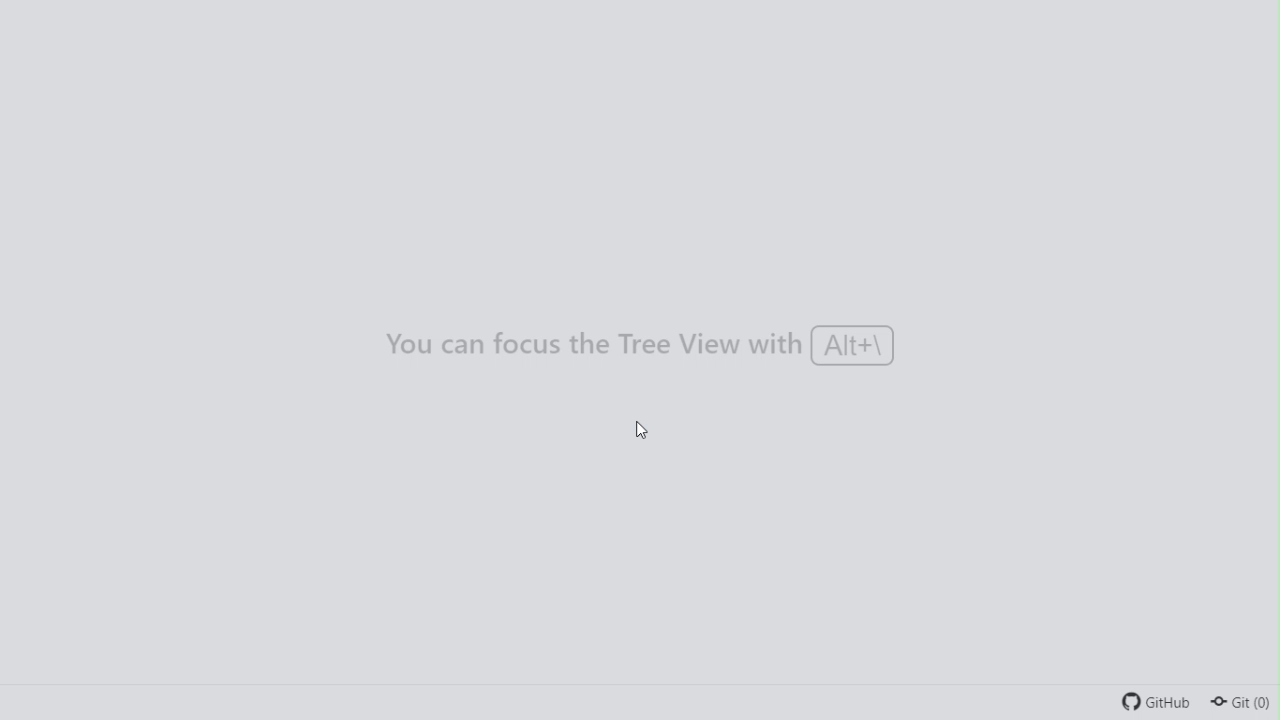  Describe the element at coordinates (1153, 701) in the screenshot. I see `github` at that location.